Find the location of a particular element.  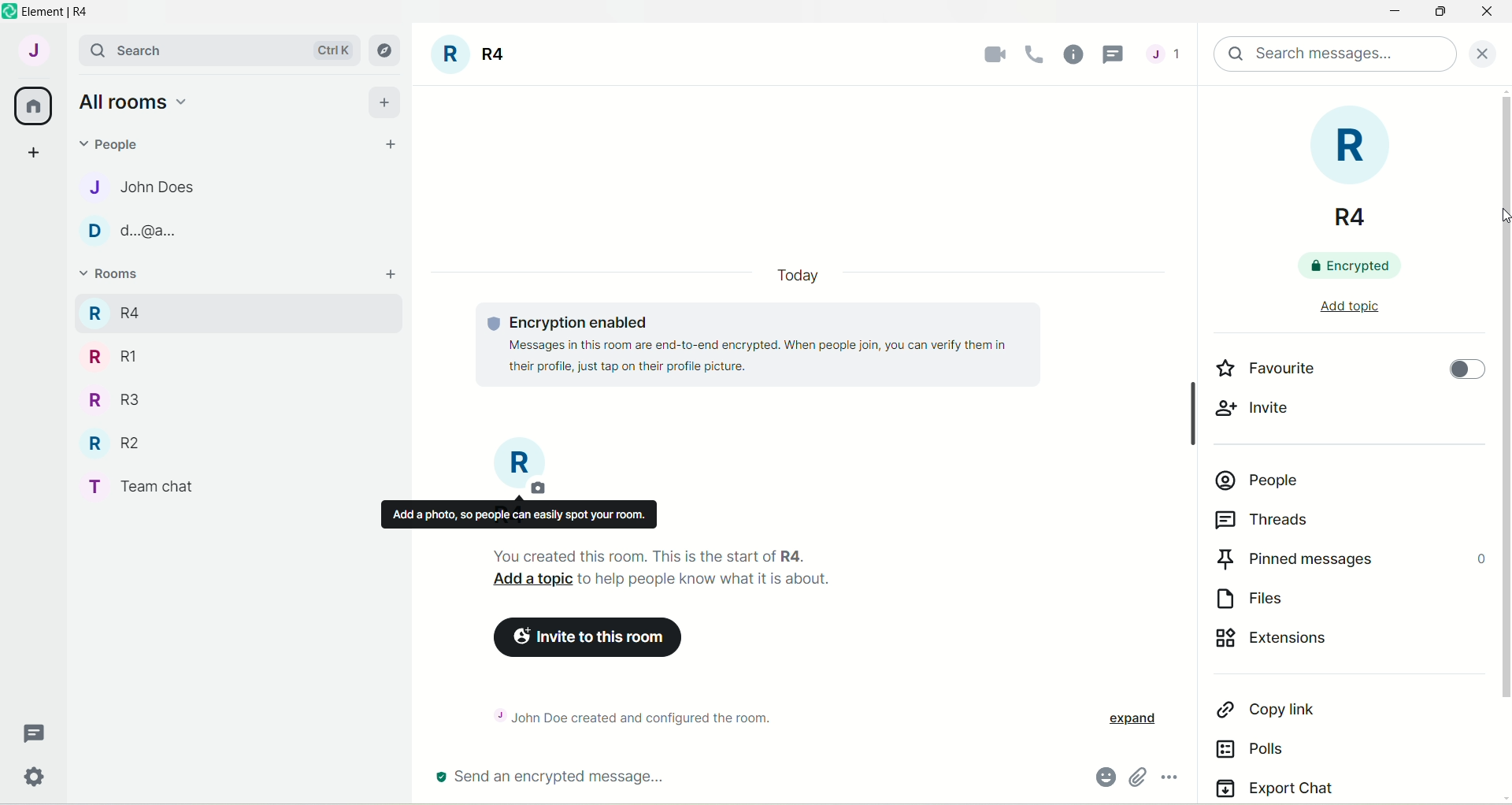

add is located at coordinates (393, 275).